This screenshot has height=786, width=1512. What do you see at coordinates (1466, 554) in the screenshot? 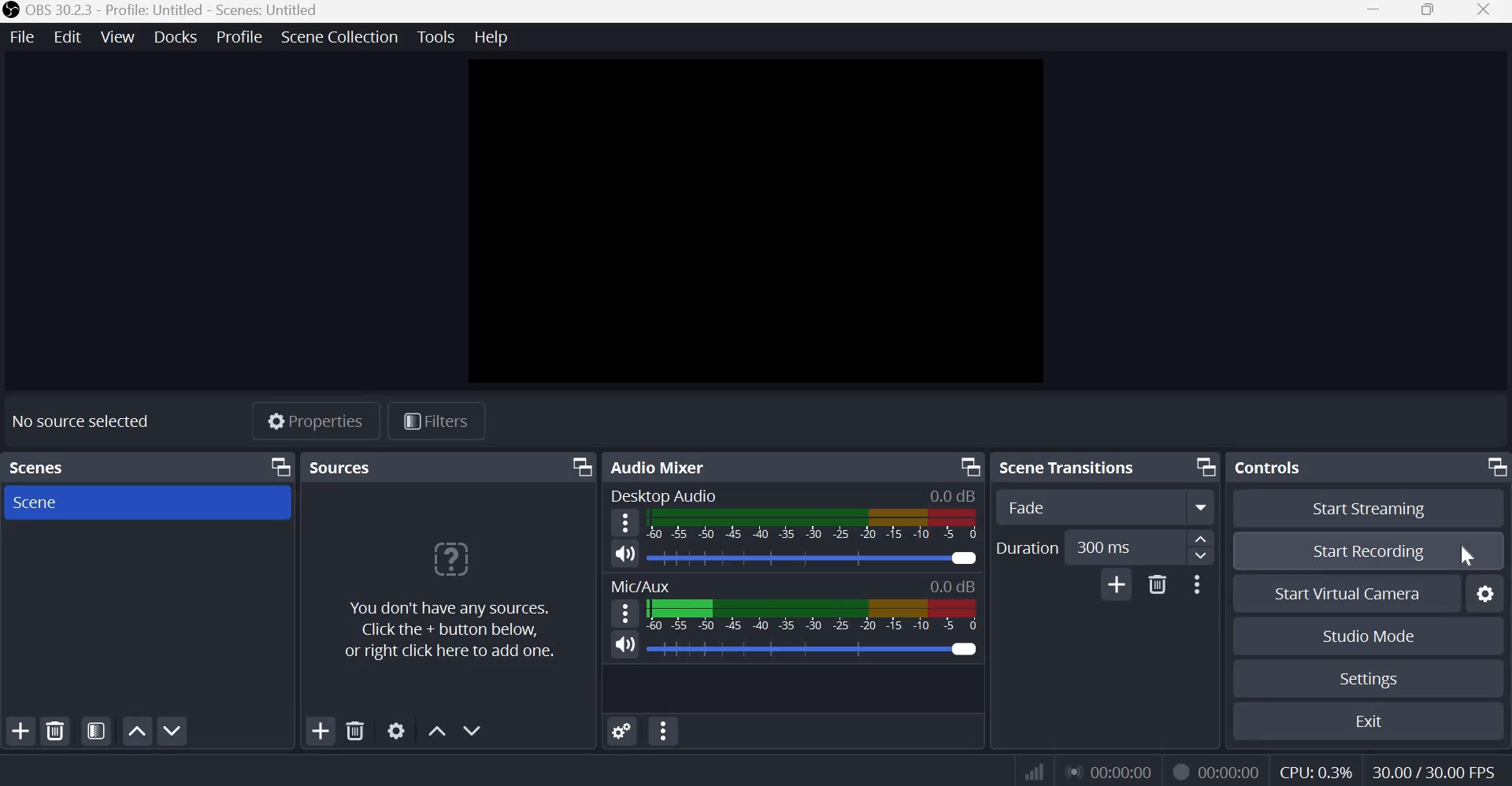
I see `Cursor` at bounding box center [1466, 554].